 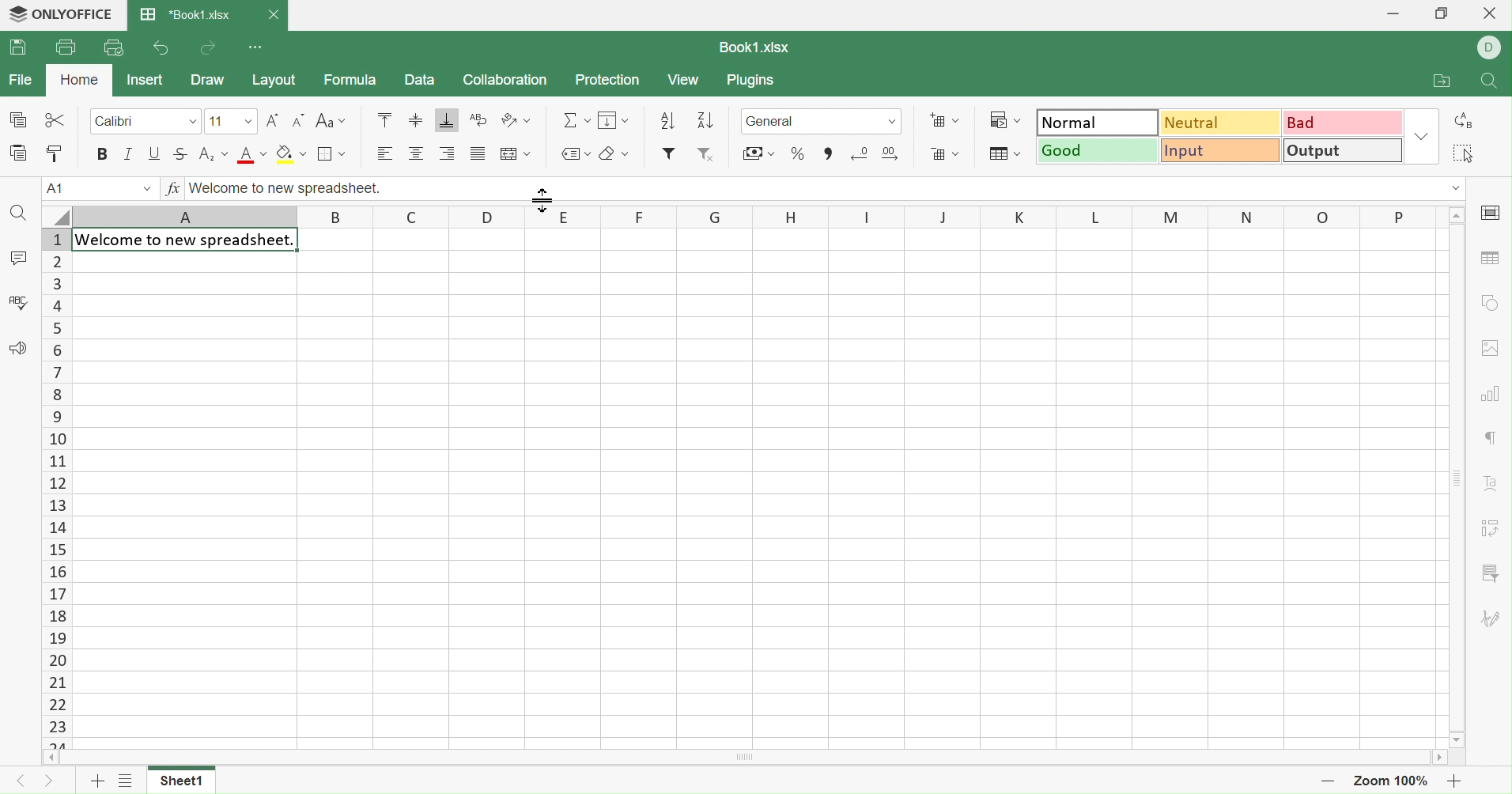 I want to click on Feedback & Support, so click(x=19, y=347).